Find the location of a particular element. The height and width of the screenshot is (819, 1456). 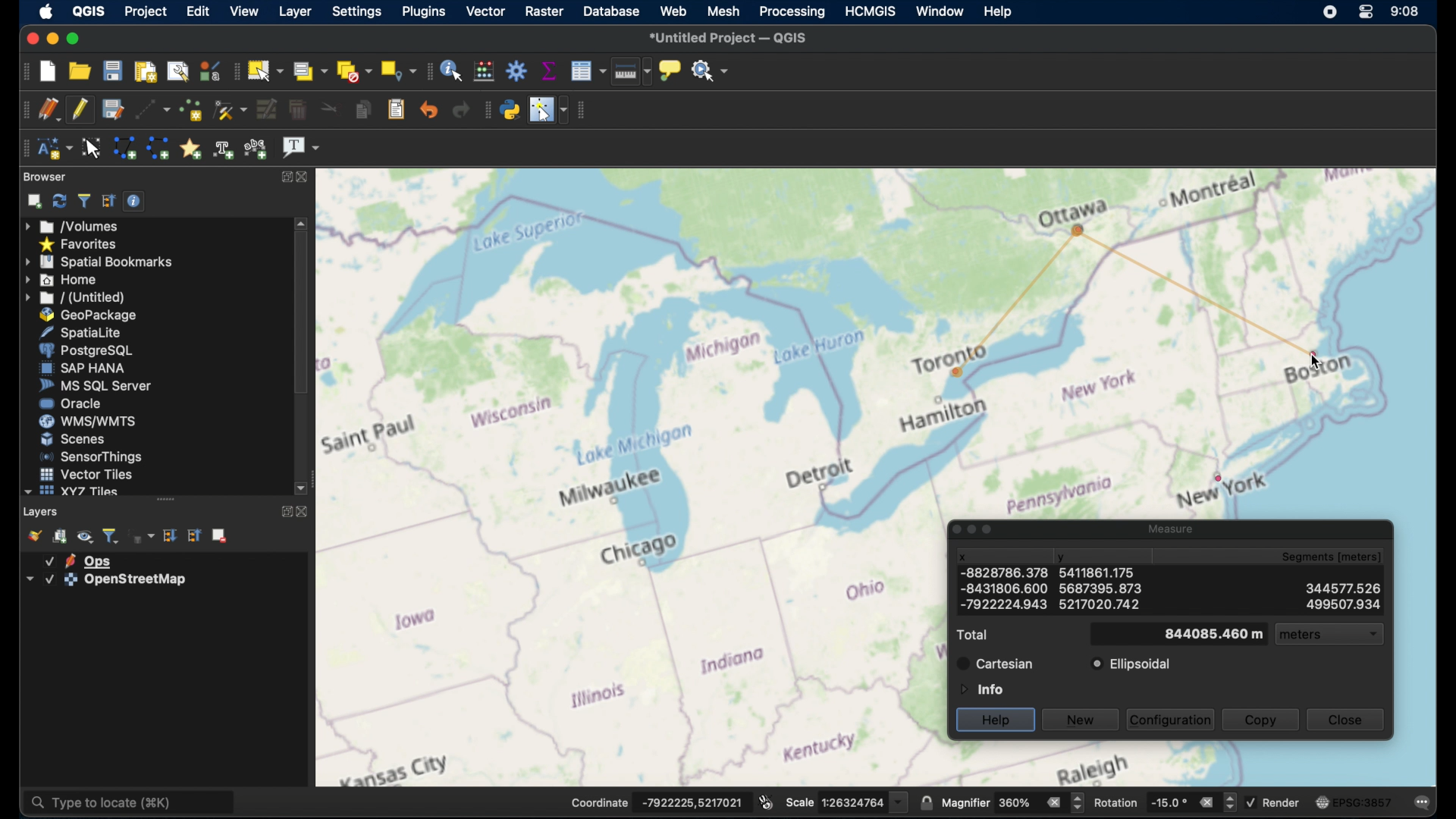

spatial bookmarks is located at coordinates (99, 261).